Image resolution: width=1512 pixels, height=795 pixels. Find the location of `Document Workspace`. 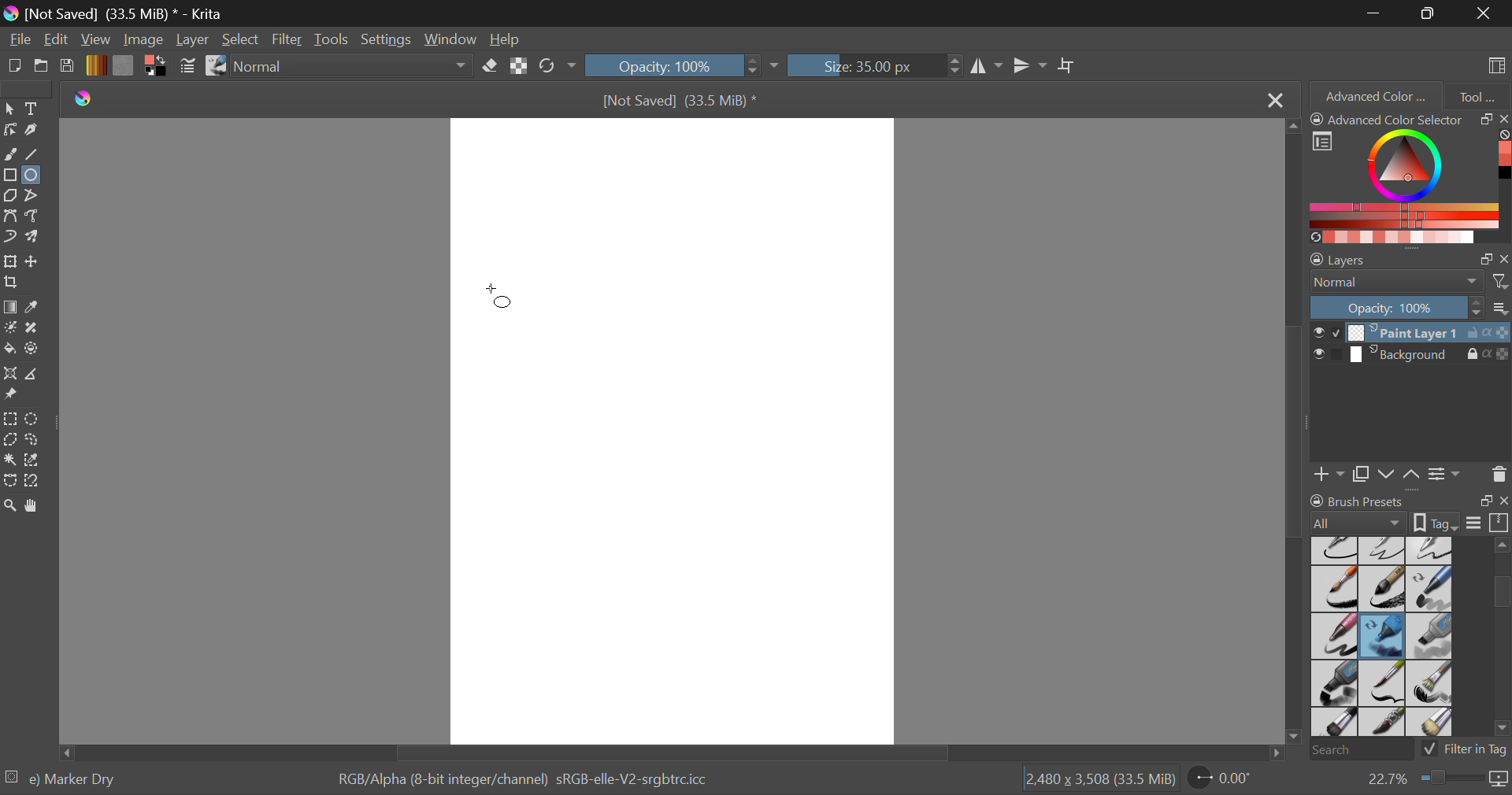

Document Workspace is located at coordinates (683, 430).